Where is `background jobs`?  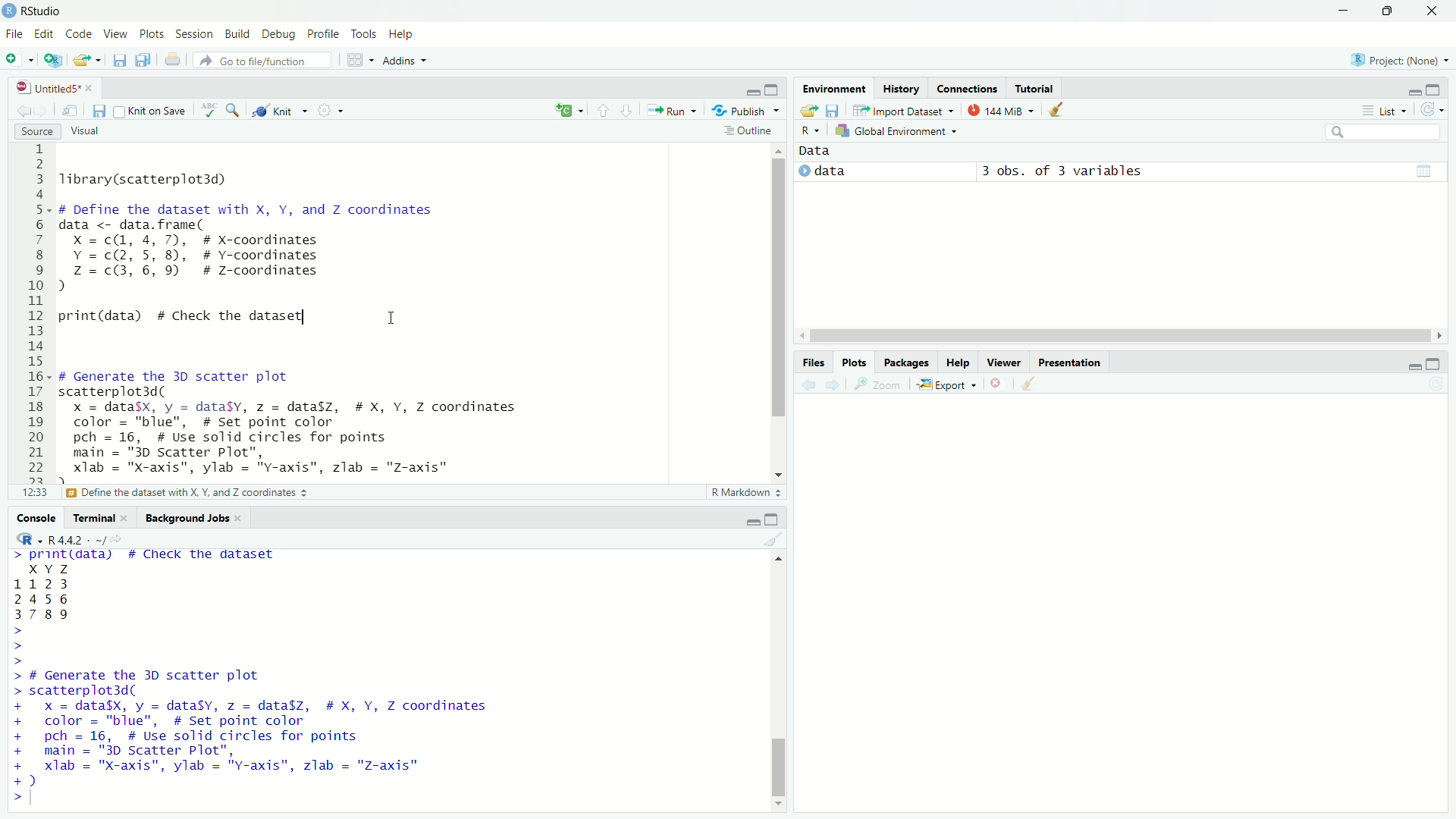 background jobs is located at coordinates (186, 518).